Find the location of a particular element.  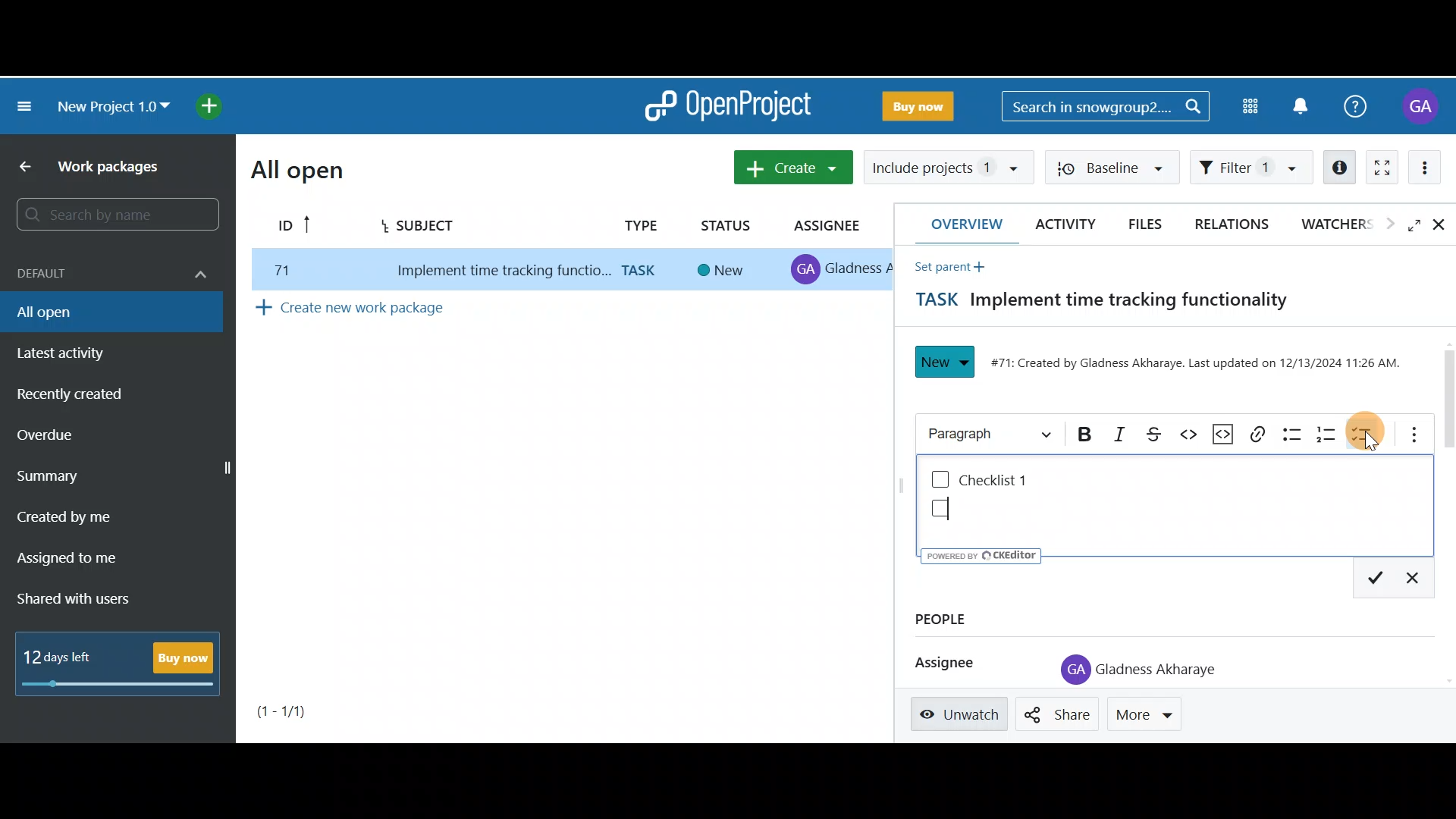

cursor is located at coordinates (1373, 444).